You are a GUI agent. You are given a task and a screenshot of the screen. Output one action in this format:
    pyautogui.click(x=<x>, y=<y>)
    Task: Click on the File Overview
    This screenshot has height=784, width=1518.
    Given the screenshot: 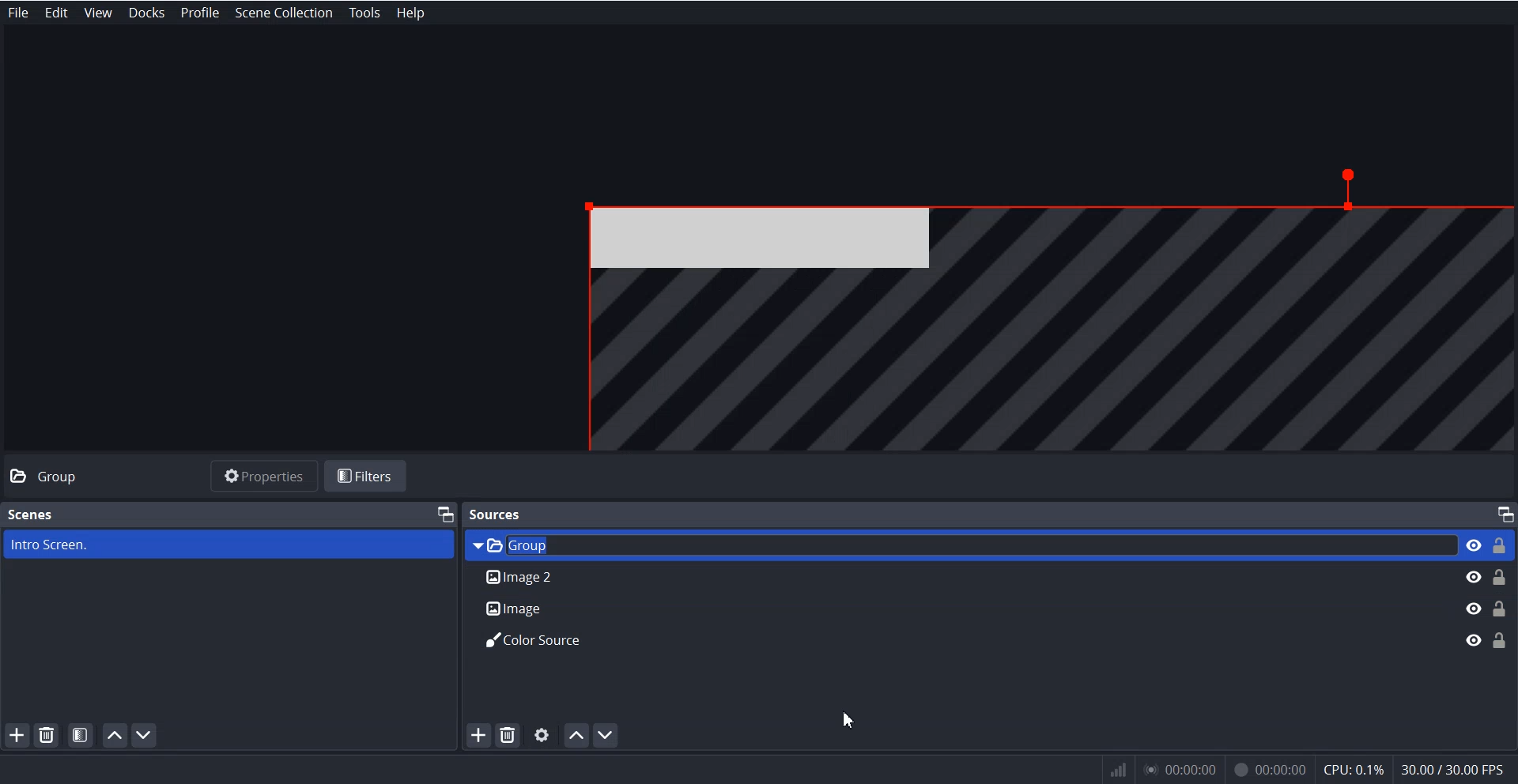 What is the action you would take?
    pyautogui.click(x=1028, y=303)
    